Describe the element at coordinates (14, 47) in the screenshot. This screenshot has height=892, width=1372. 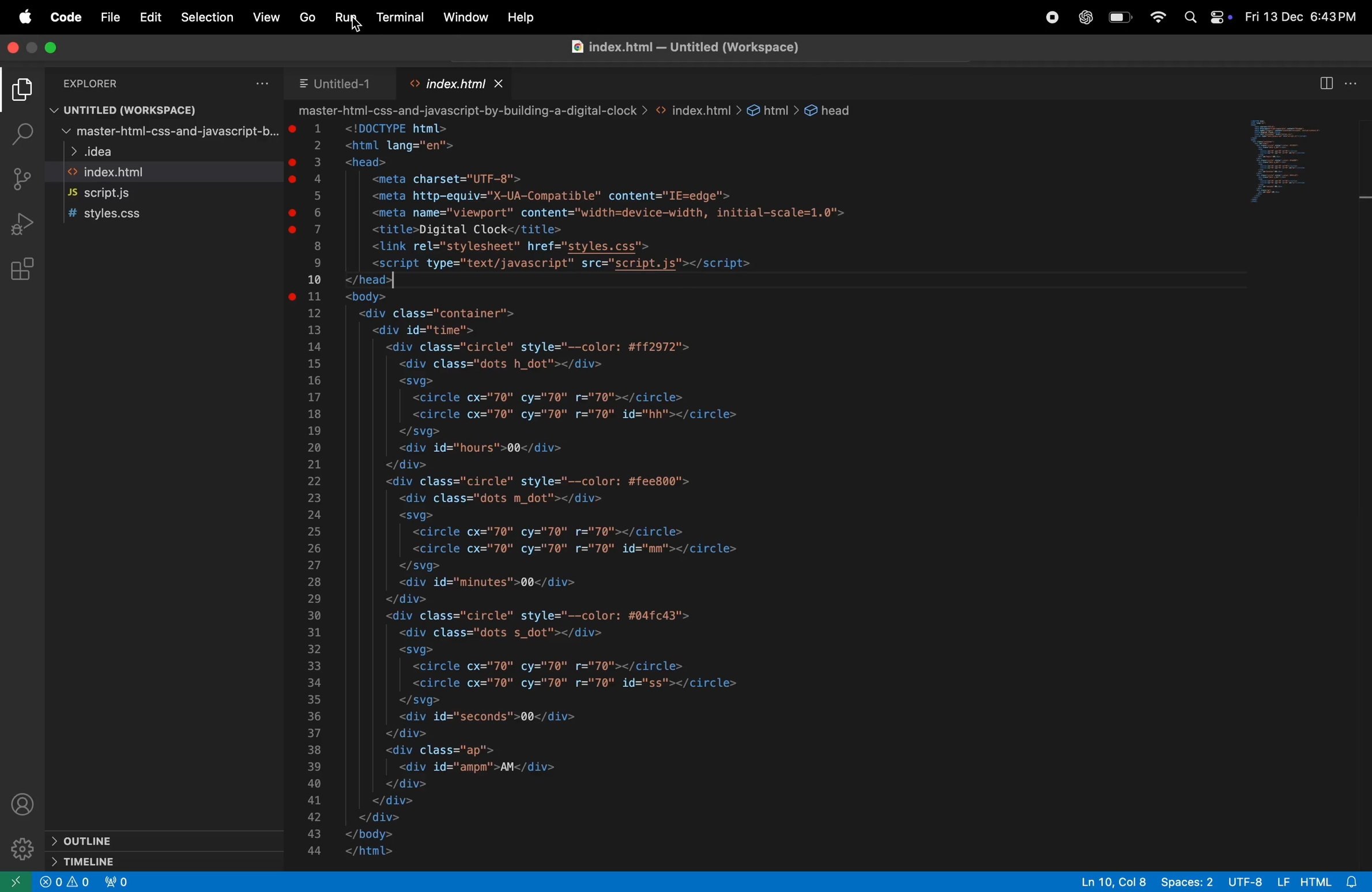
I see `close` at that location.